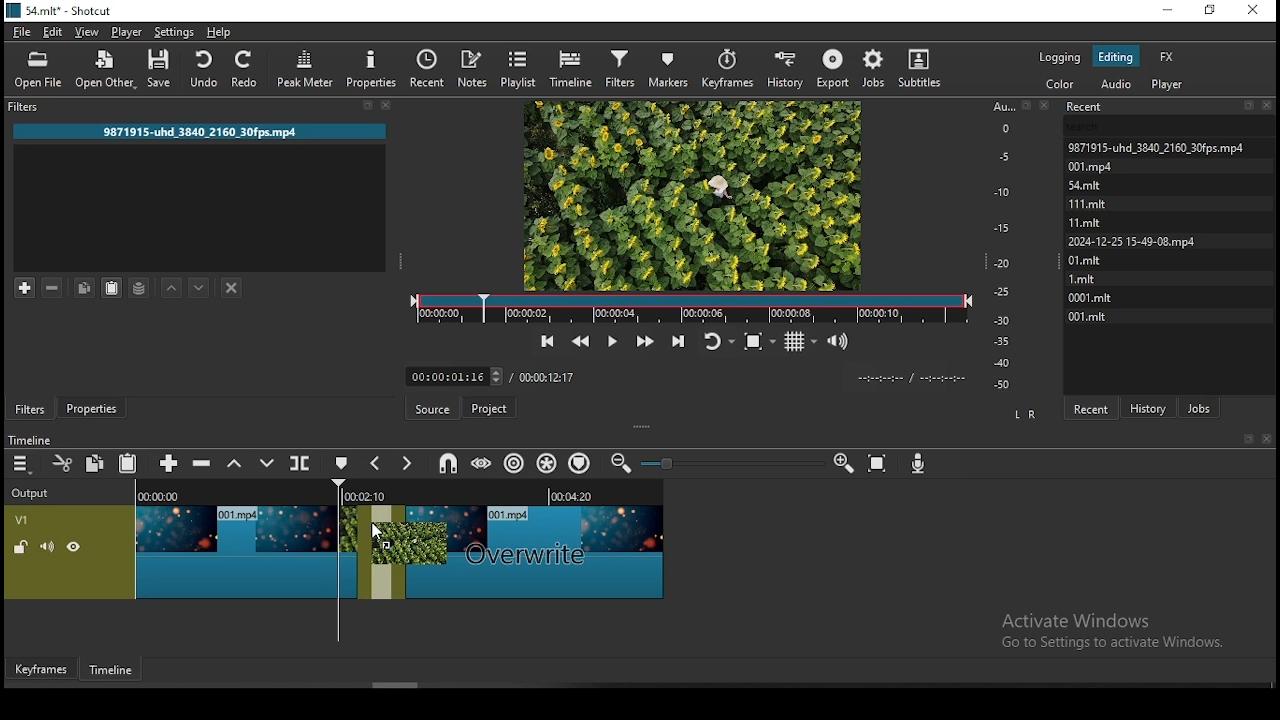  I want to click on editing, so click(1115, 55).